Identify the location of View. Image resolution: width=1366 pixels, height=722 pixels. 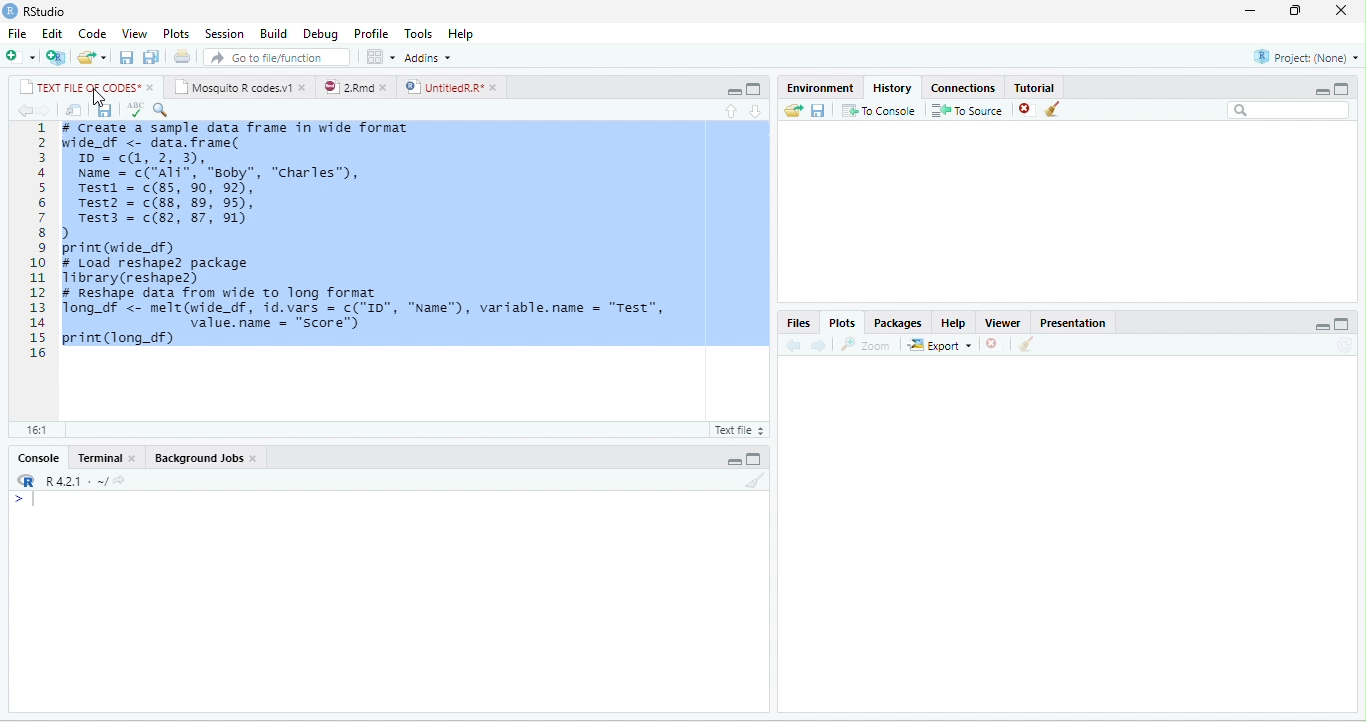
(135, 34).